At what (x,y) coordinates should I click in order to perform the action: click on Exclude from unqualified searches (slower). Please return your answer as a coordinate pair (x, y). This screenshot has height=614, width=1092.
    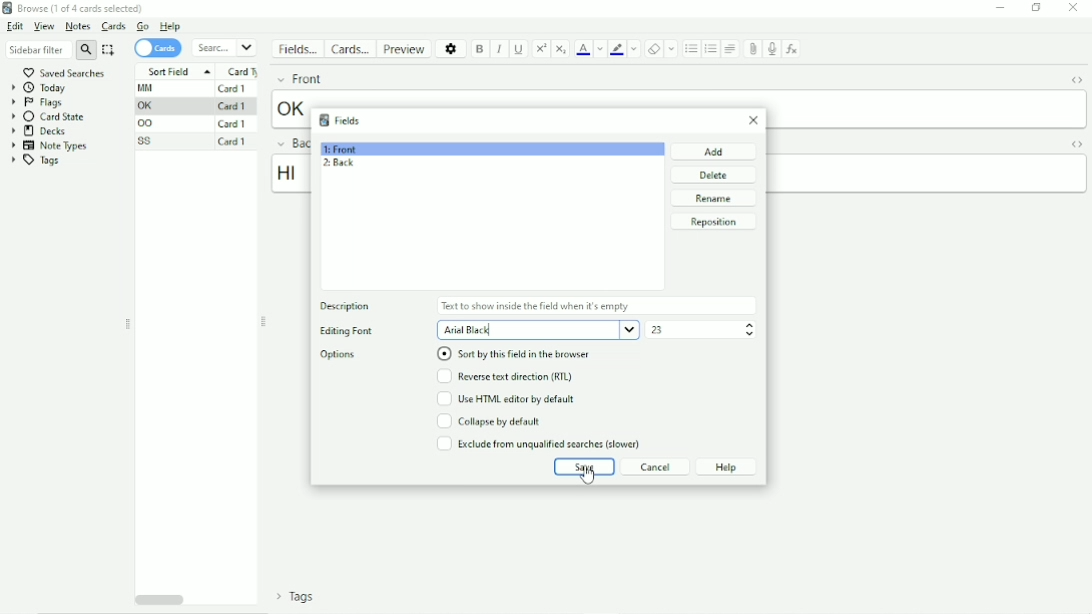
    Looking at the image, I should click on (541, 444).